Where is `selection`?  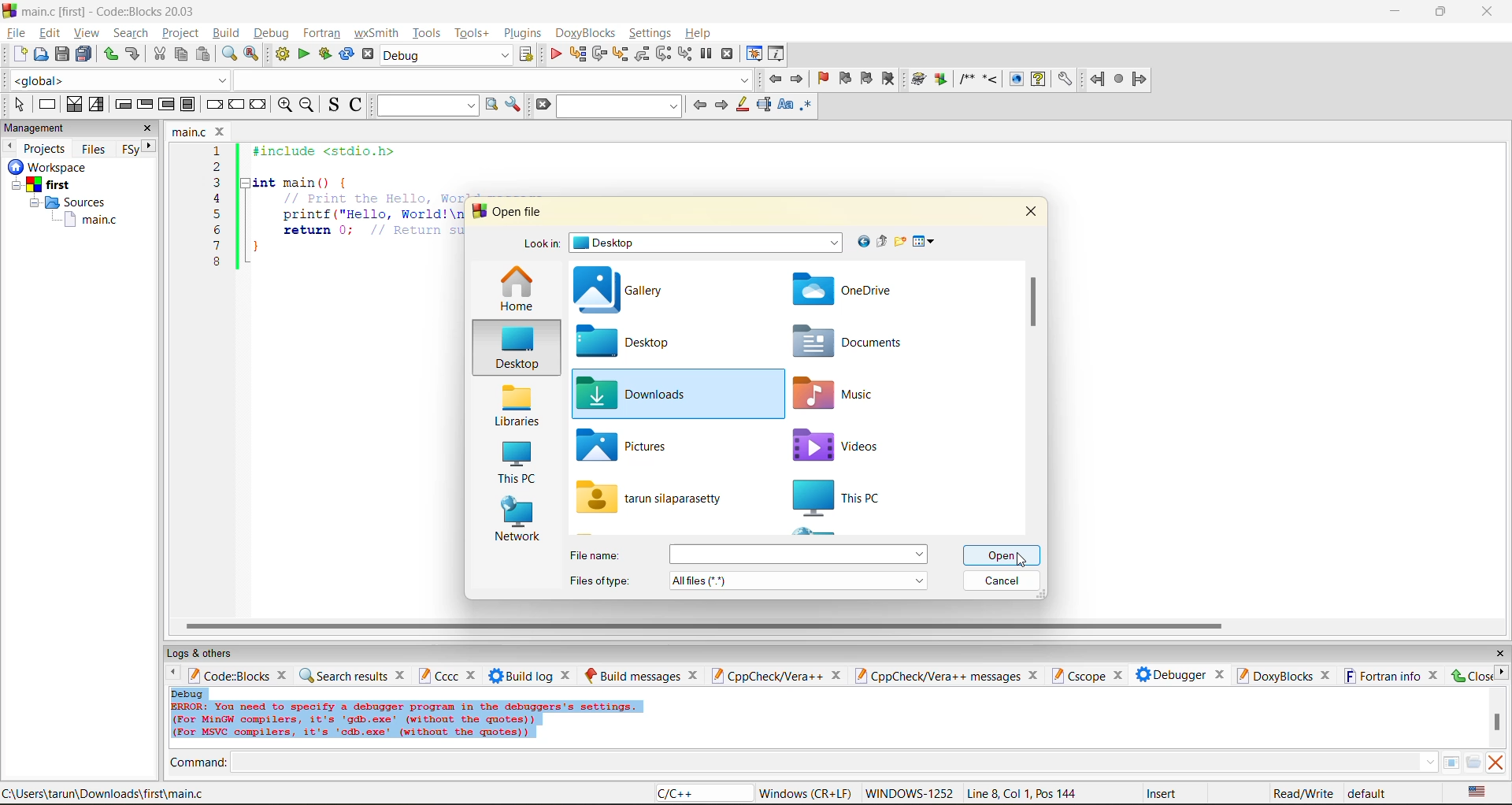 selection is located at coordinates (97, 105).